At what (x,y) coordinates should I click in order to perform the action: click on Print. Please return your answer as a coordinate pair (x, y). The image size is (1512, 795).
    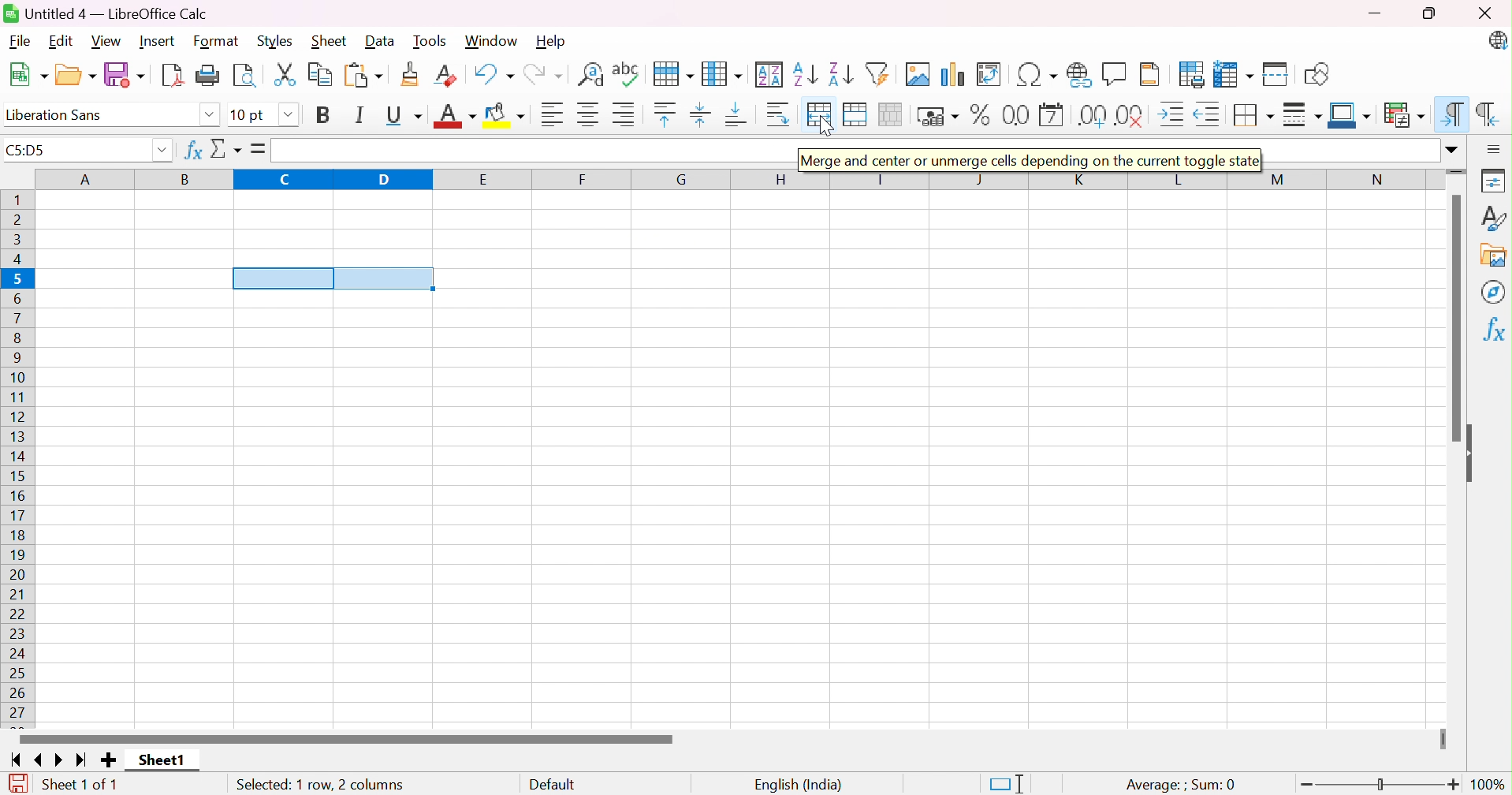
    Looking at the image, I should click on (210, 74).